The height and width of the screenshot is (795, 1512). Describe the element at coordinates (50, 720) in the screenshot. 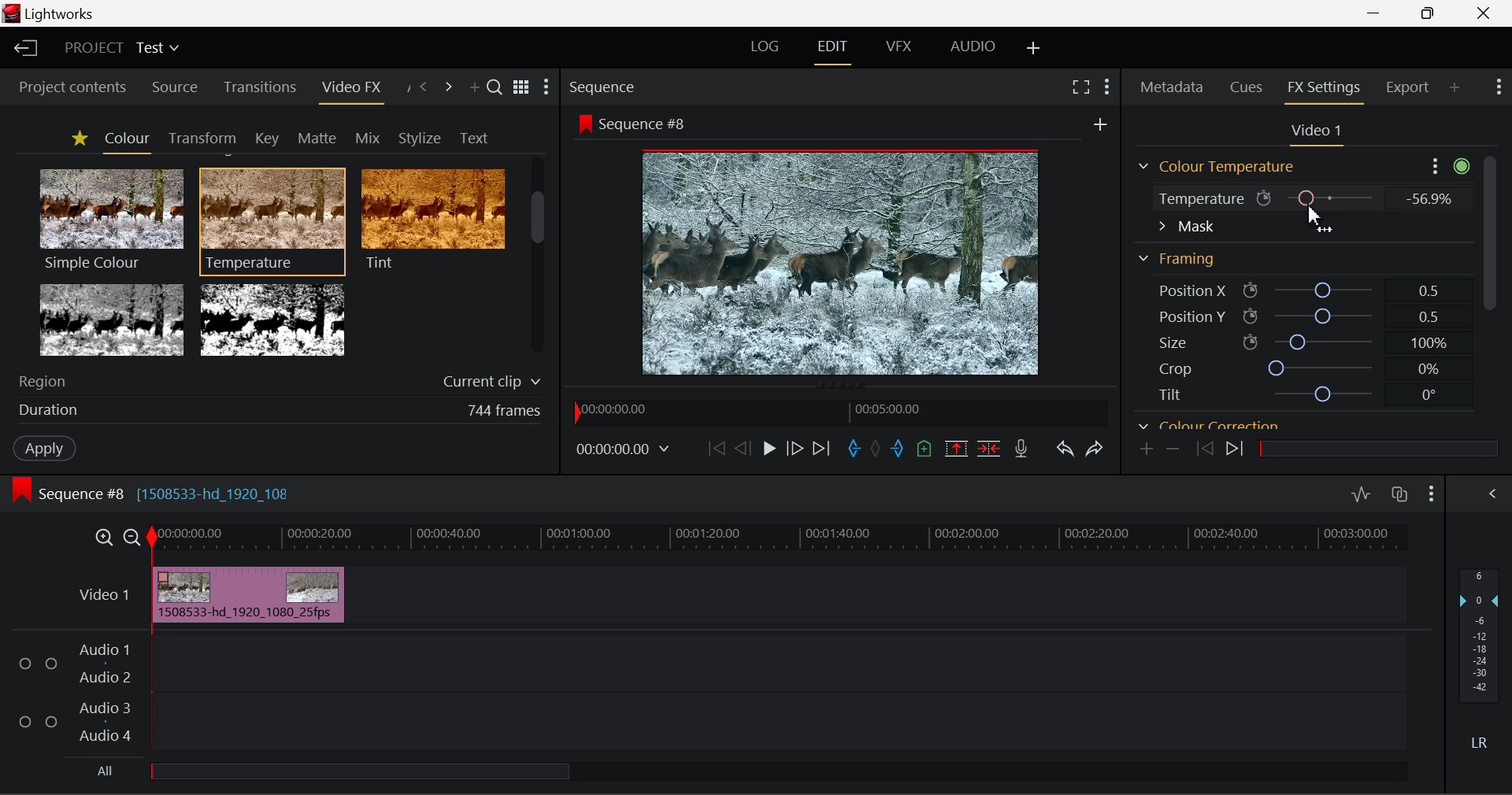

I see `Checkbox` at that location.